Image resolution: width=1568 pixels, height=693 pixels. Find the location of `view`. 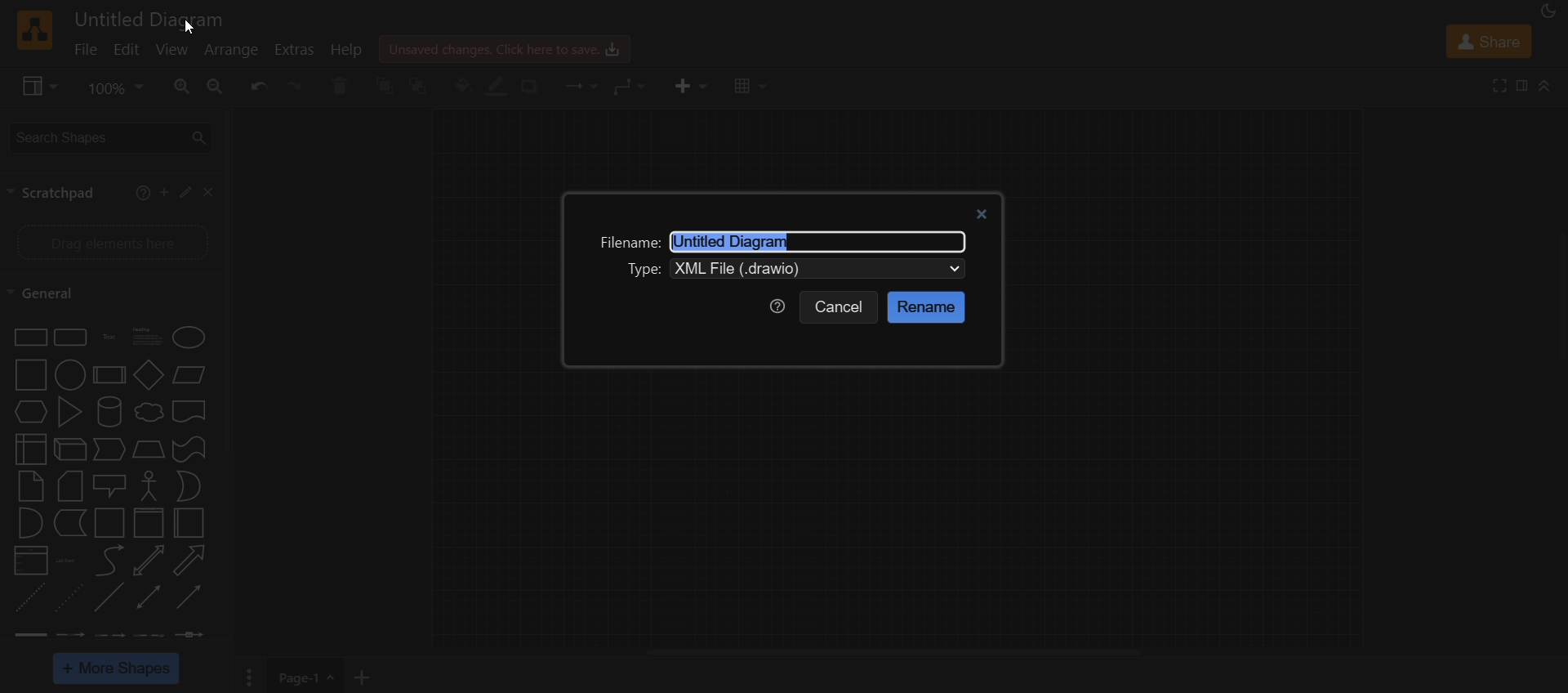

view is located at coordinates (174, 51).